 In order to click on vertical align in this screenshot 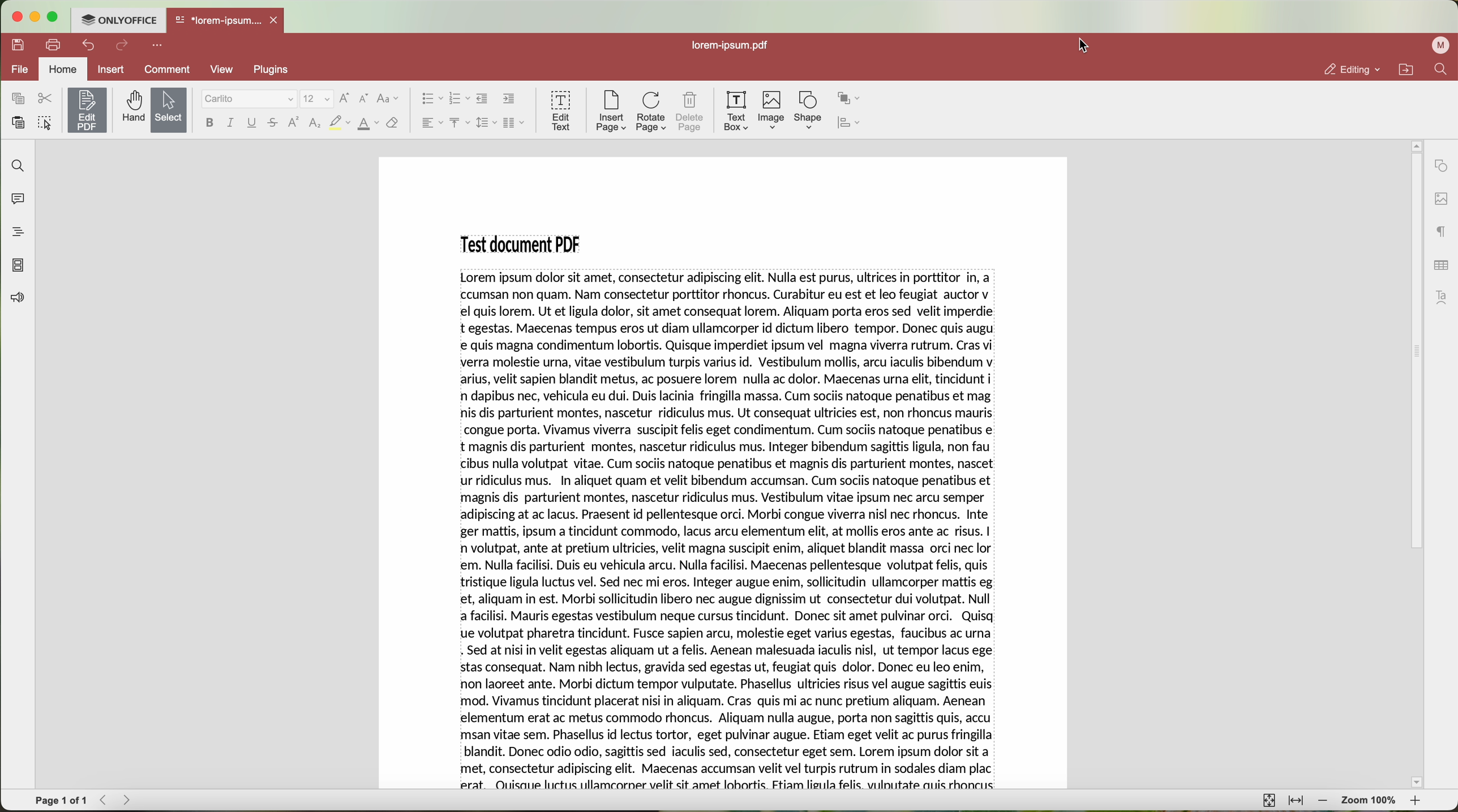, I will do `click(461, 123)`.